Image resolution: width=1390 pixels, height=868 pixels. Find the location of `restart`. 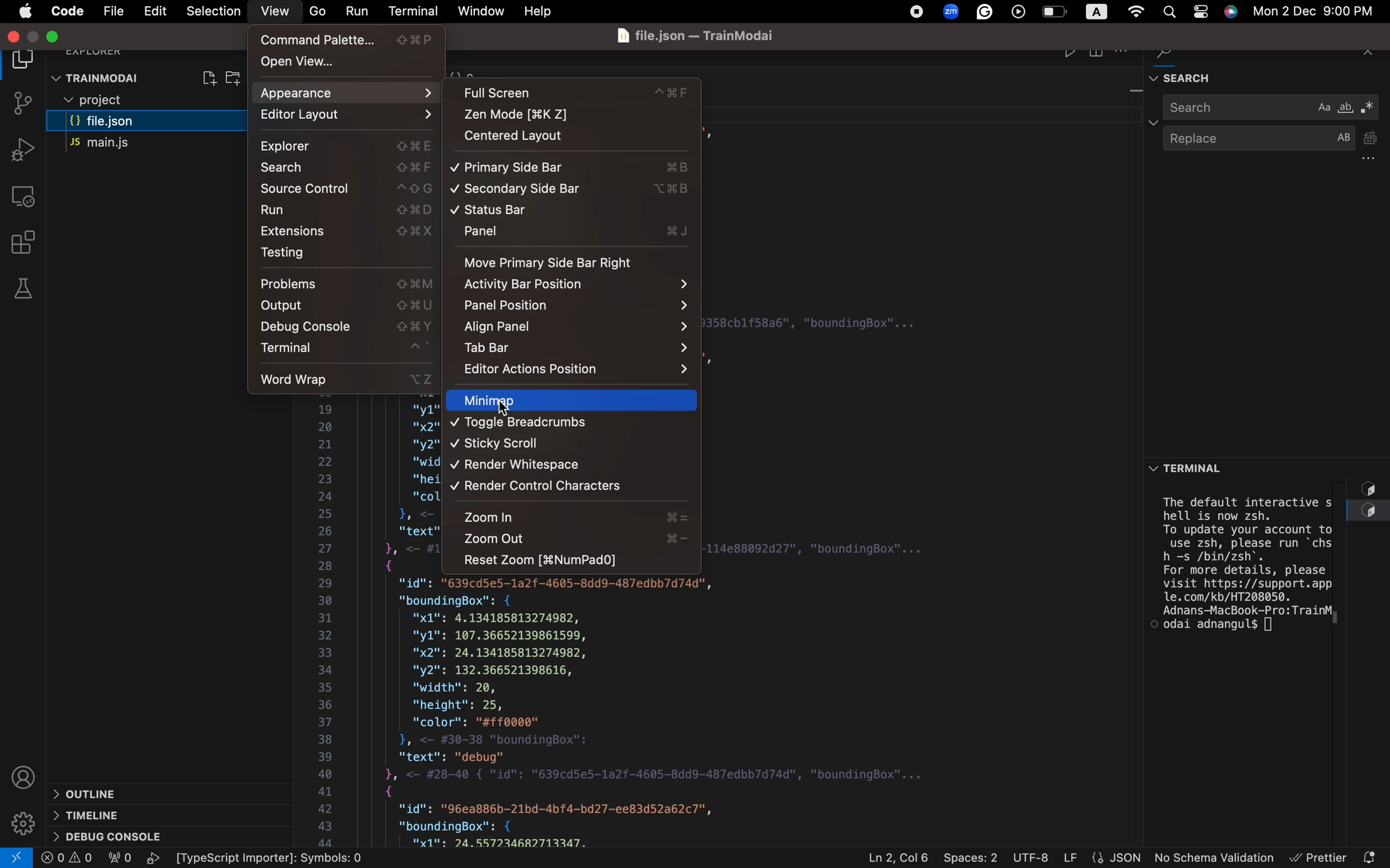

restart is located at coordinates (256, 78).